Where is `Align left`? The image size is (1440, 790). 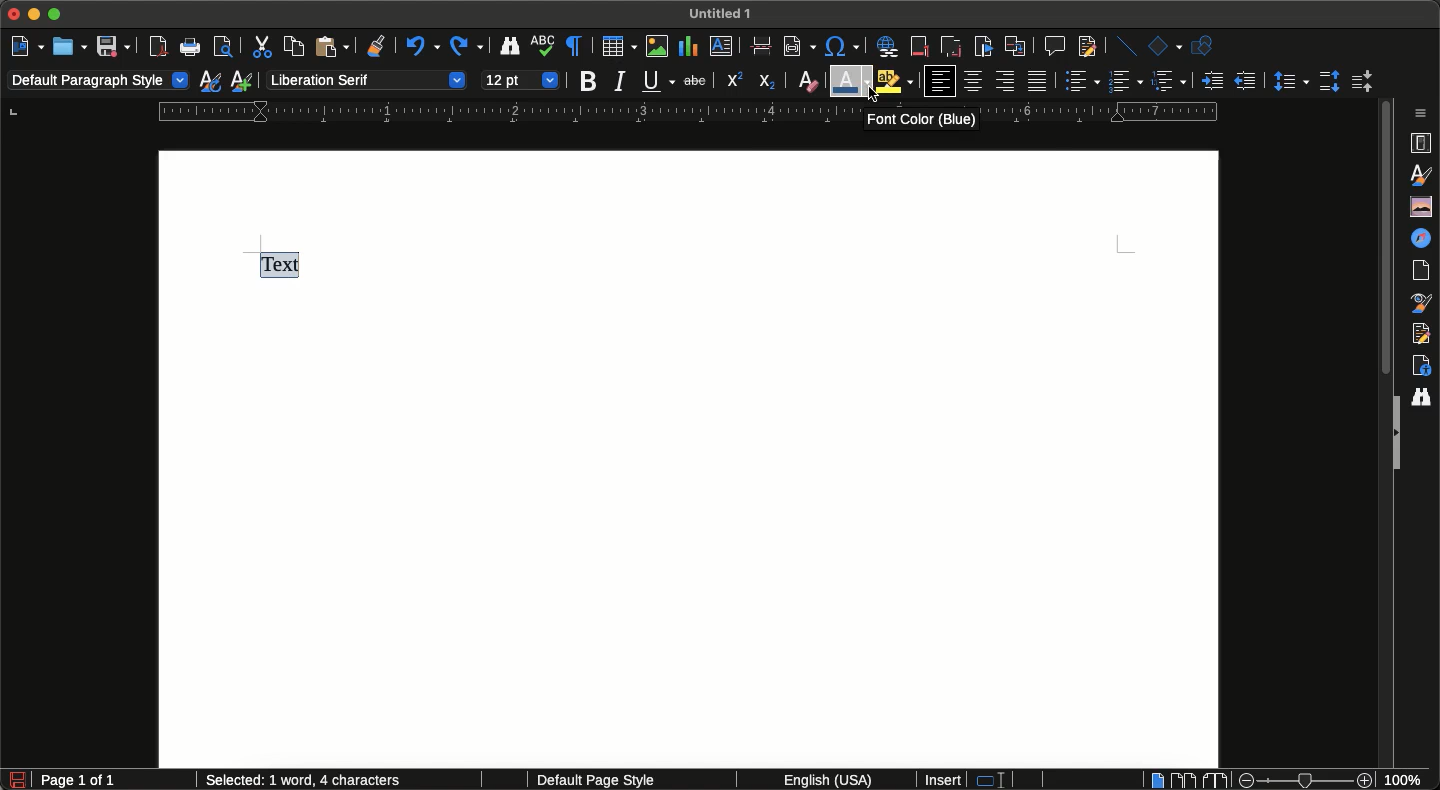
Align left is located at coordinates (939, 81).